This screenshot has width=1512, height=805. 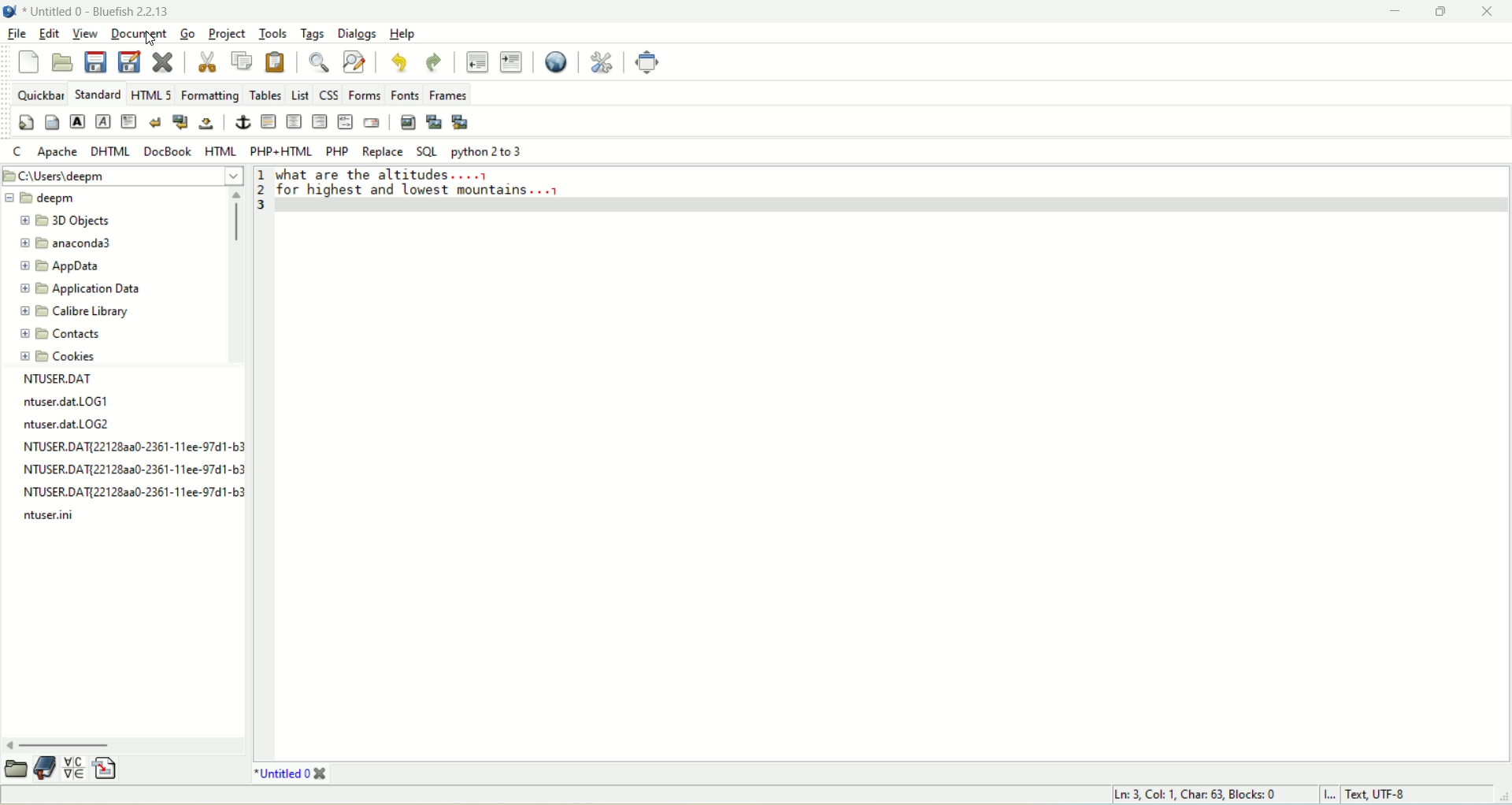 What do you see at coordinates (113, 153) in the screenshot?
I see `DHTML` at bounding box center [113, 153].